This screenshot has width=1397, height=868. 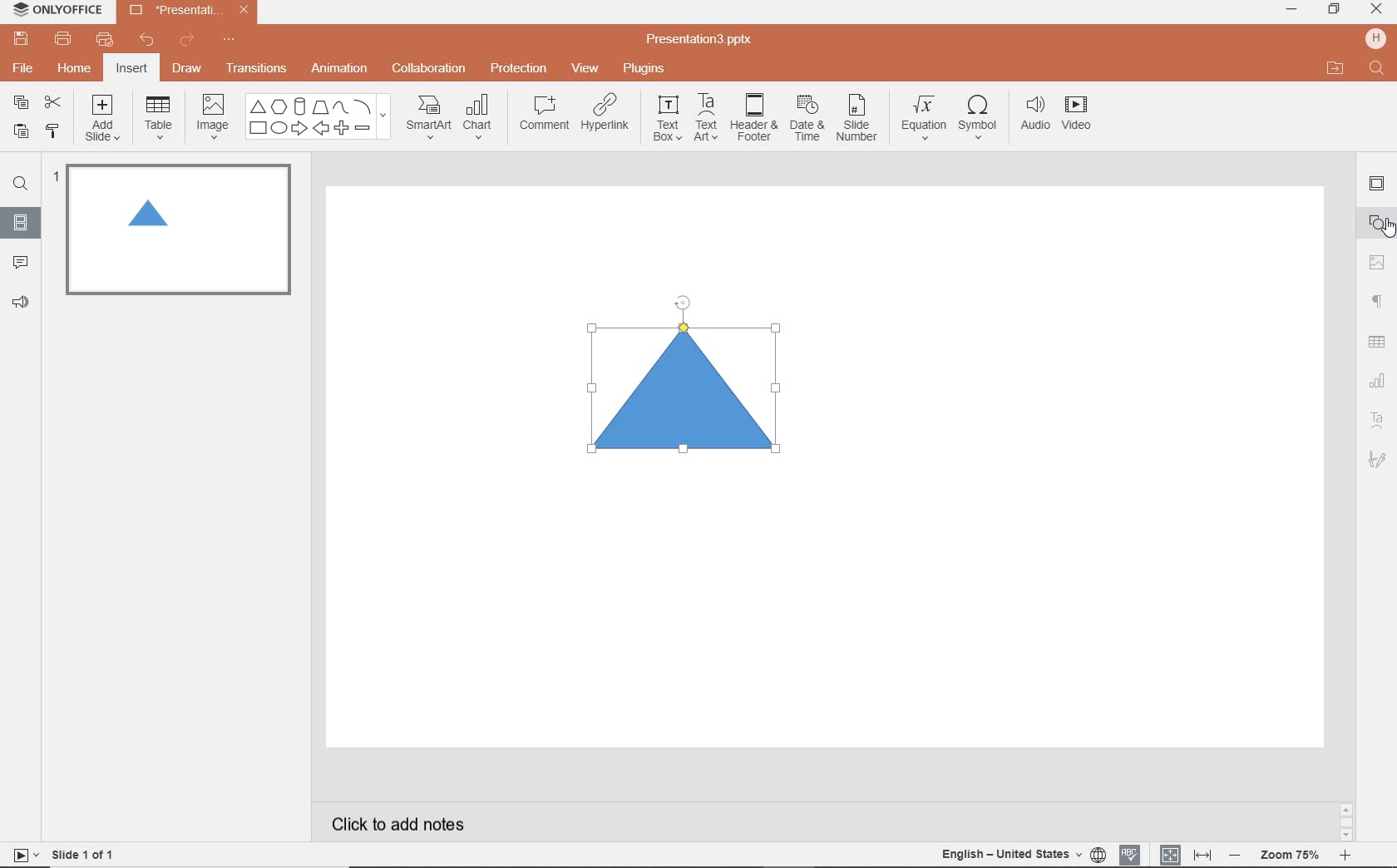 I want to click on HP, so click(x=1377, y=38).